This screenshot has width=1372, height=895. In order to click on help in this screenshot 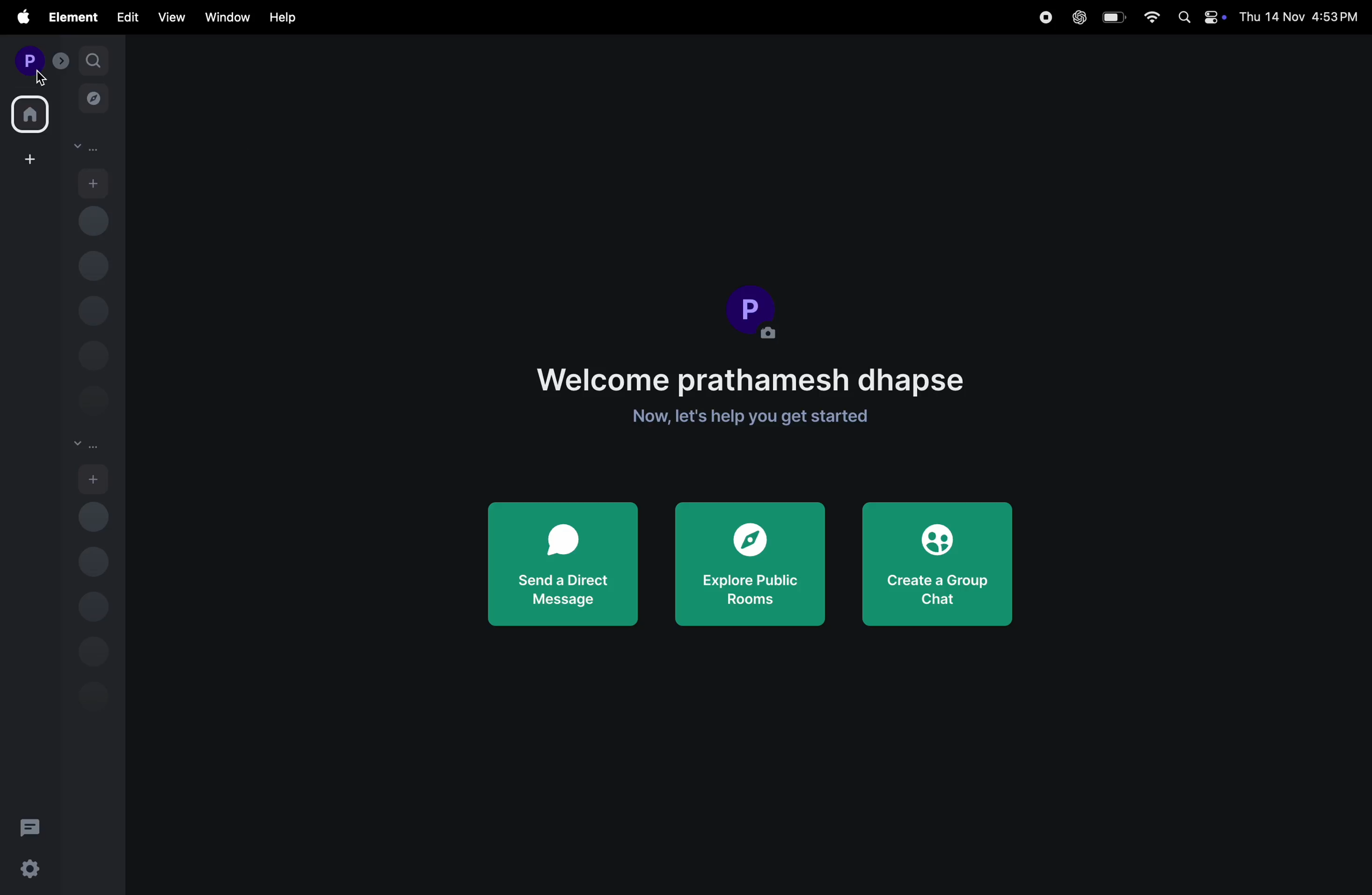, I will do `click(288, 16)`.